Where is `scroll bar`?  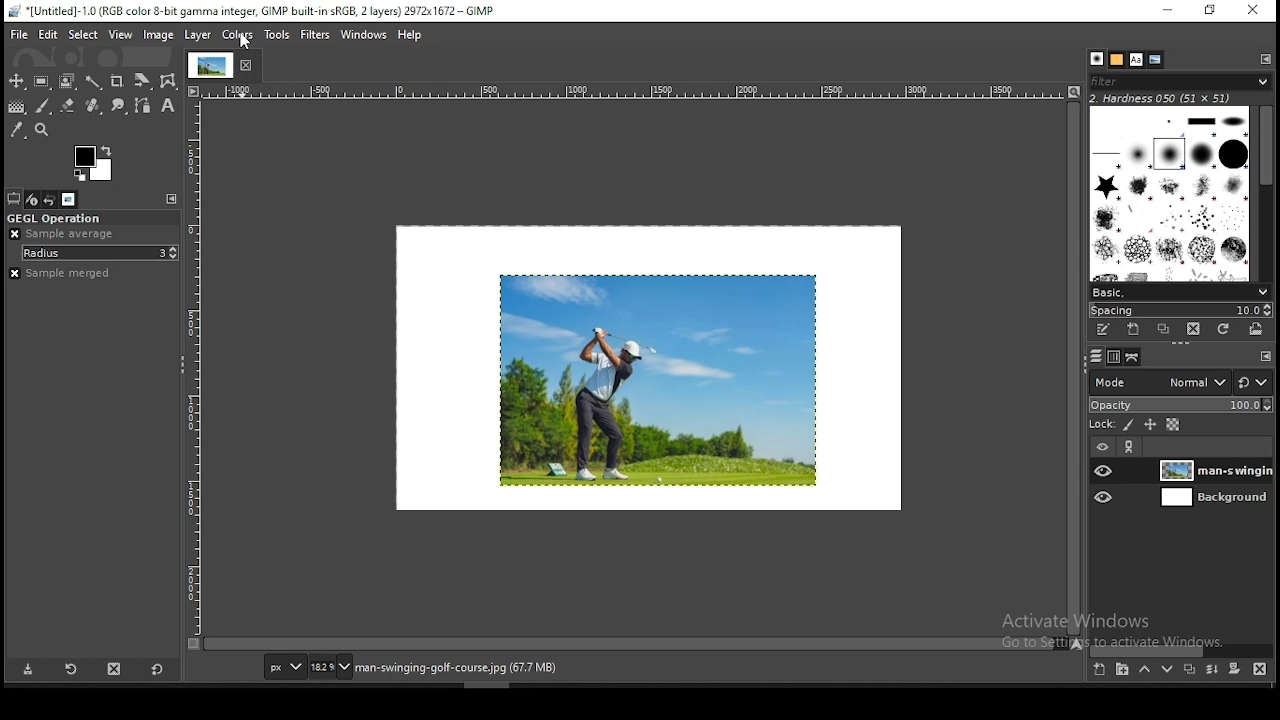
scroll bar is located at coordinates (1073, 369).